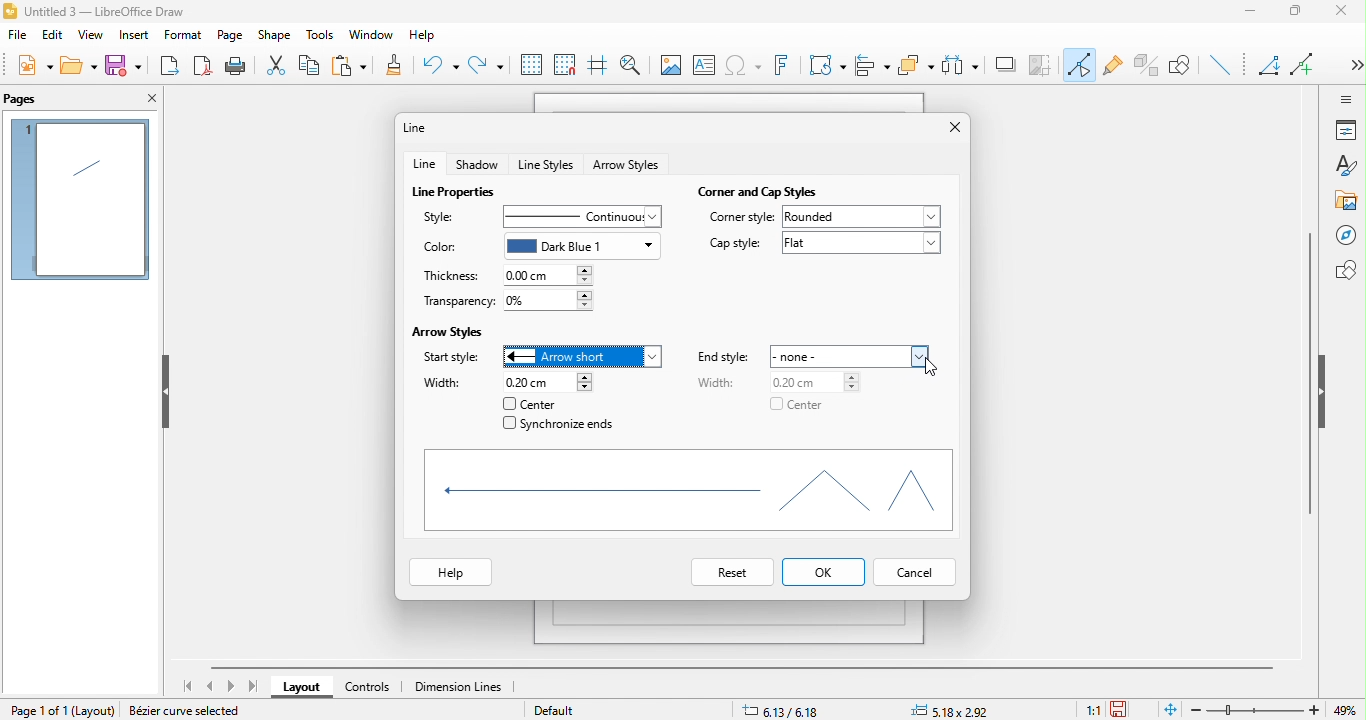 This screenshot has height=720, width=1366. Describe the element at coordinates (1081, 67) in the screenshot. I see `toggle point edit mode` at that location.